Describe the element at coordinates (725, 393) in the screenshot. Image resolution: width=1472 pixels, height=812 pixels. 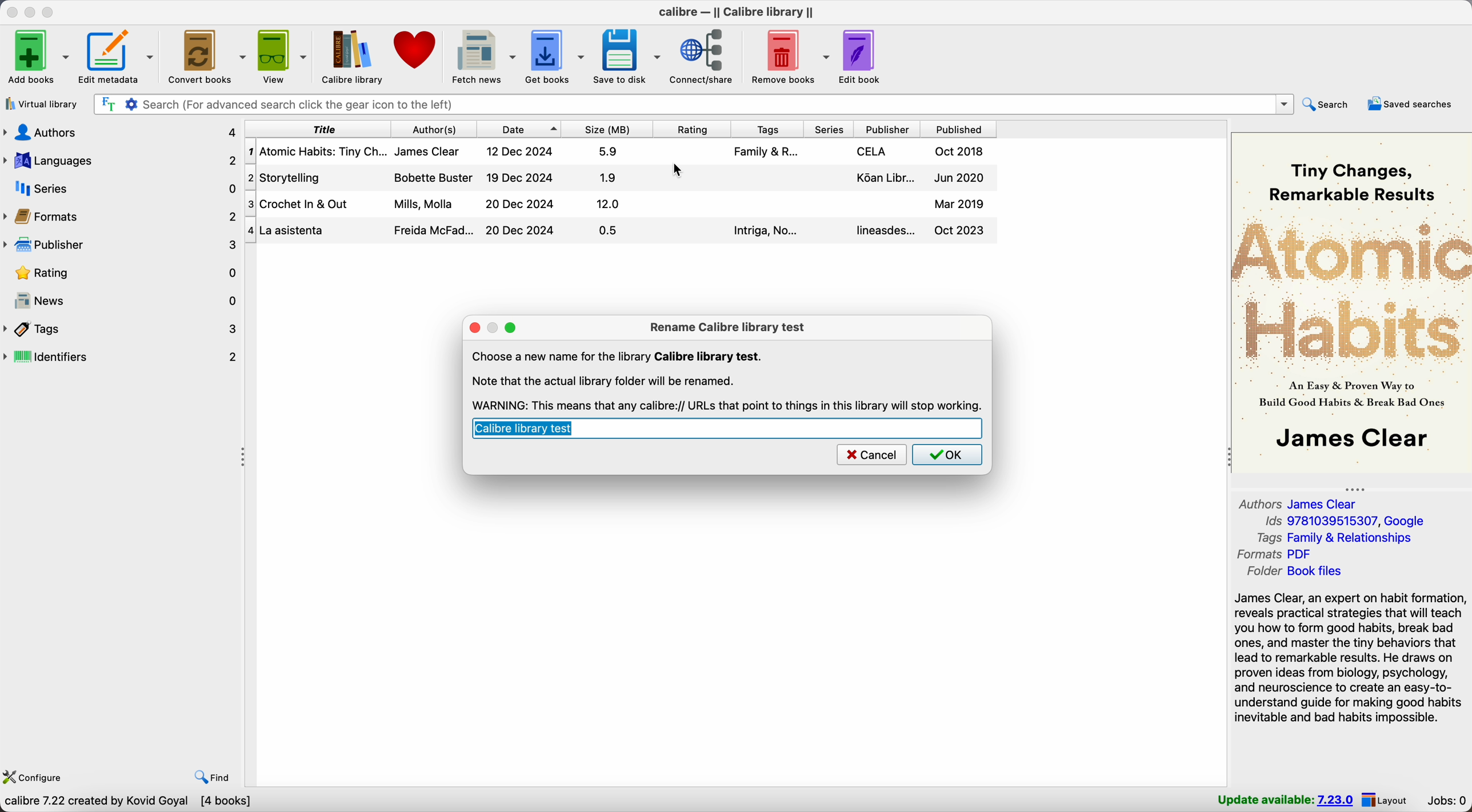
I see `Note that the actual library folder will be renamed. WARNING: This means that any calibre://URLs that point to things in this library will stop working.` at that location.